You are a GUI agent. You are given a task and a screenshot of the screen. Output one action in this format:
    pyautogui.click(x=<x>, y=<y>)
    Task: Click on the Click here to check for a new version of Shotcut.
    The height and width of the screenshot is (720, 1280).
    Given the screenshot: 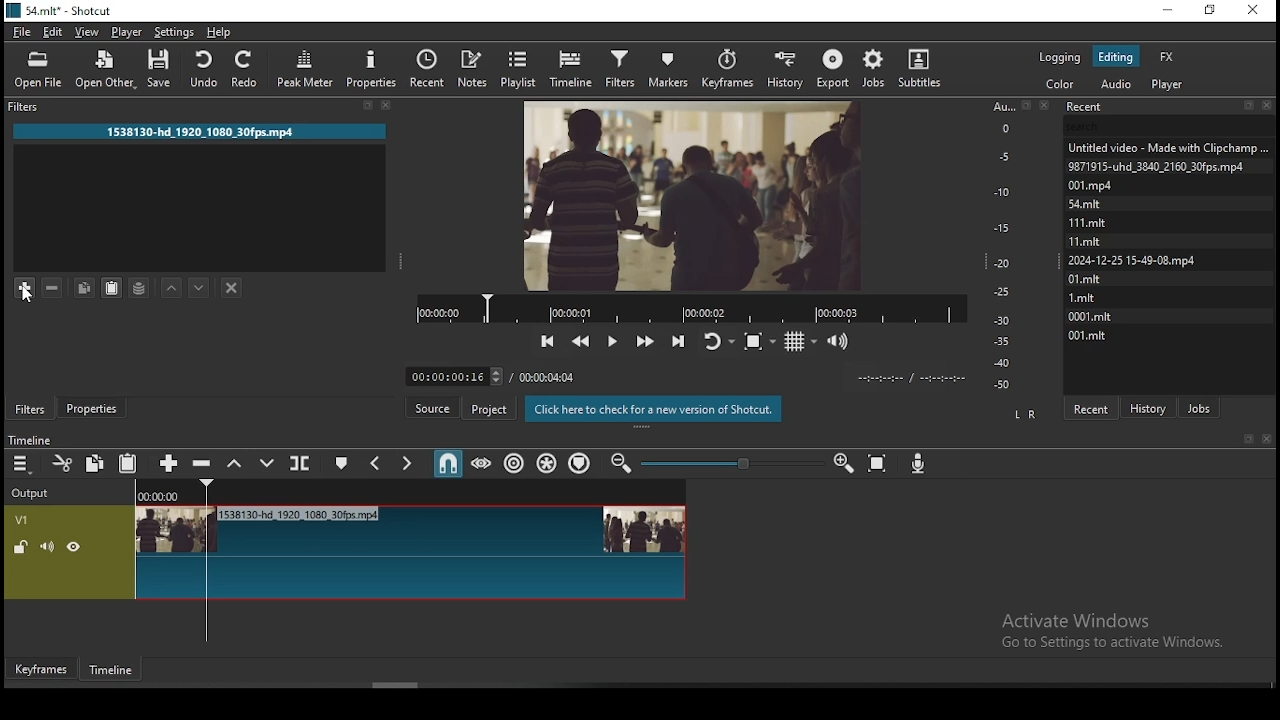 What is the action you would take?
    pyautogui.click(x=654, y=409)
    